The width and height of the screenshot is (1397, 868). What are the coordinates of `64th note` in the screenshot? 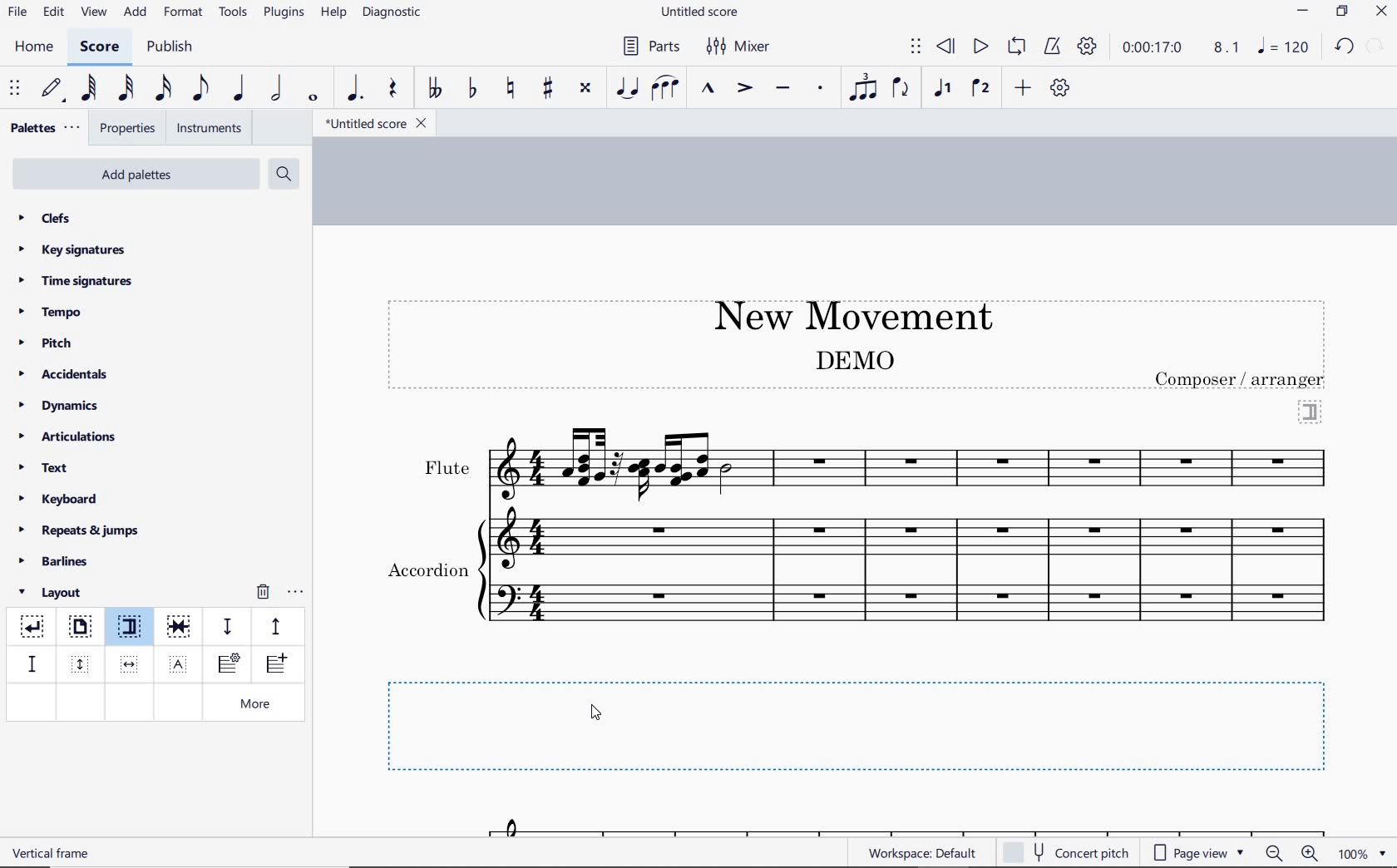 It's located at (91, 88).